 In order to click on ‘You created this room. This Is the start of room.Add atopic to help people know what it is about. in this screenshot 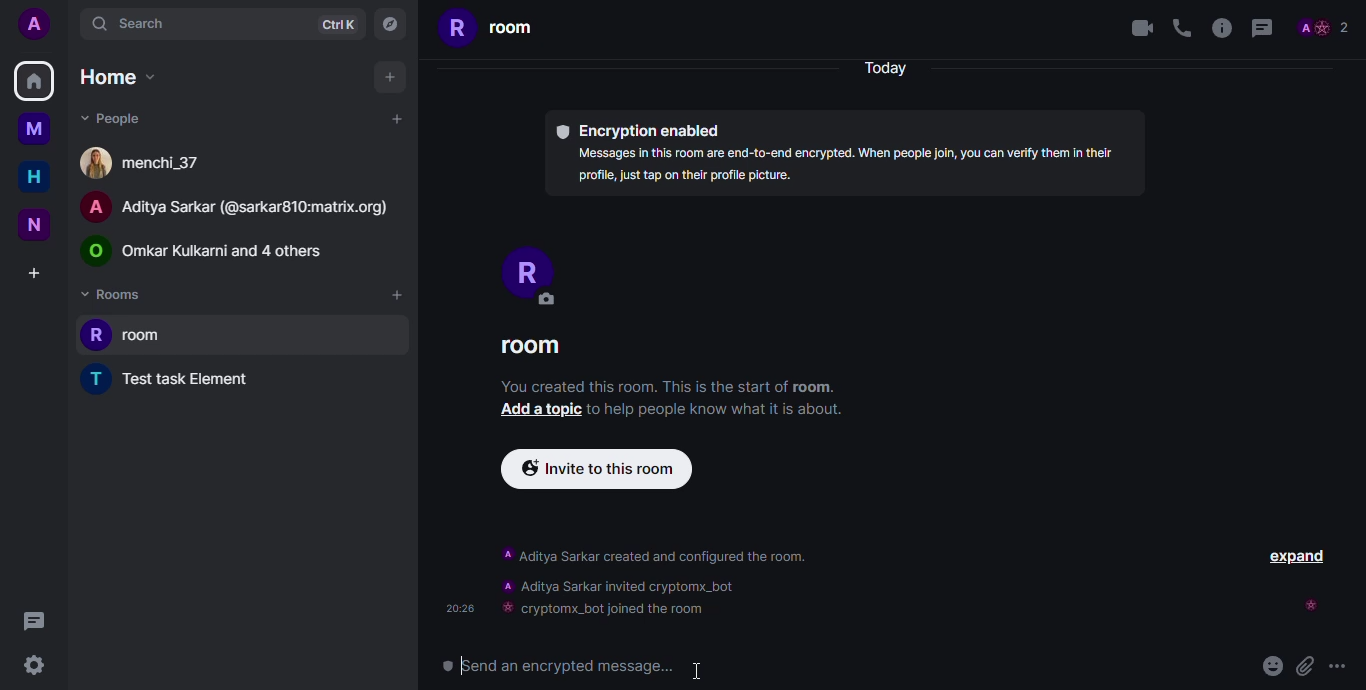, I will do `click(672, 405)`.